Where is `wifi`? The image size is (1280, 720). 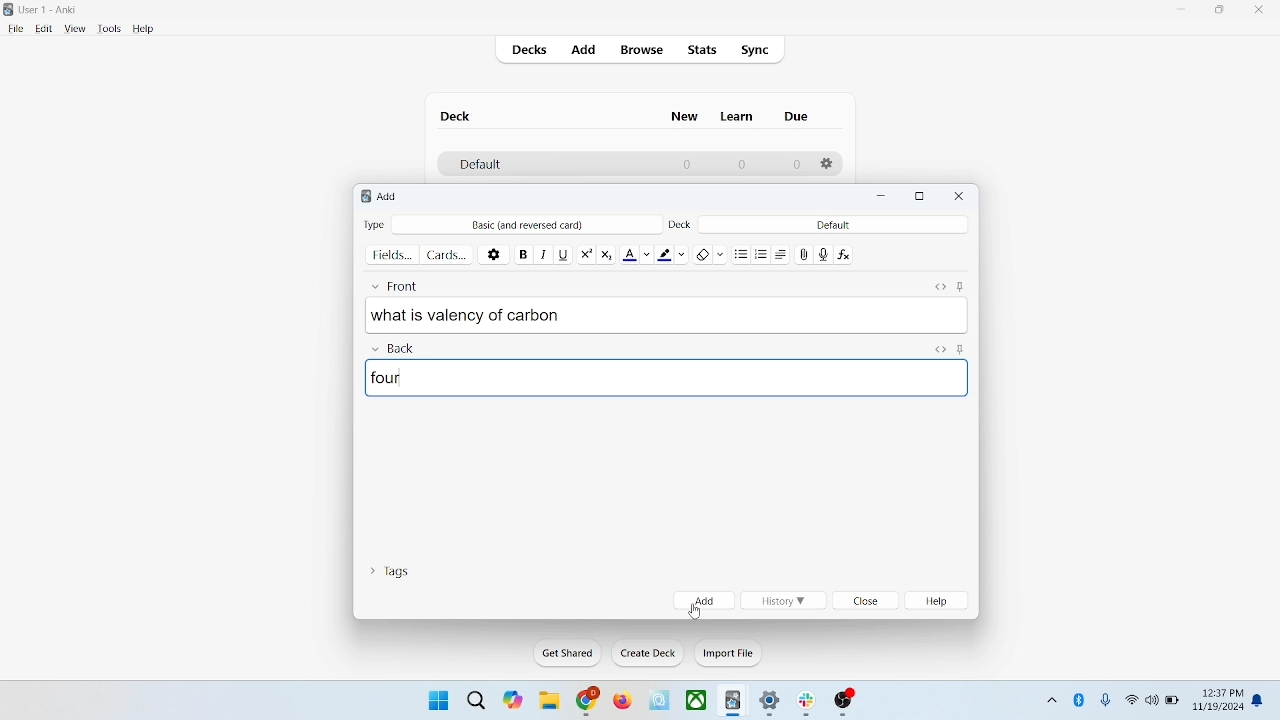 wifi is located at coordinates (1131, 699).